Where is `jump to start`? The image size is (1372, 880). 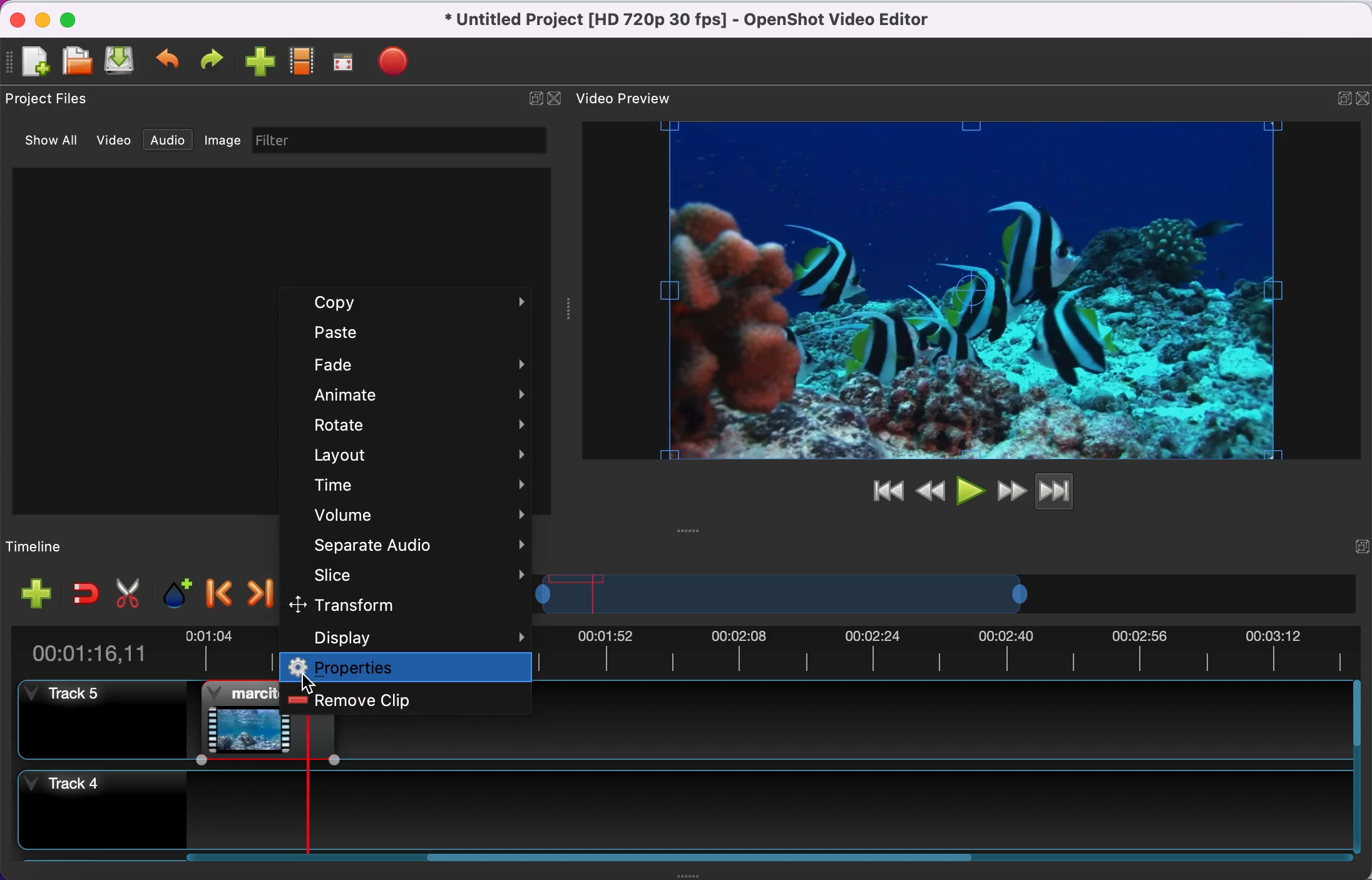 jump to start is located at coordinates (883, 492).